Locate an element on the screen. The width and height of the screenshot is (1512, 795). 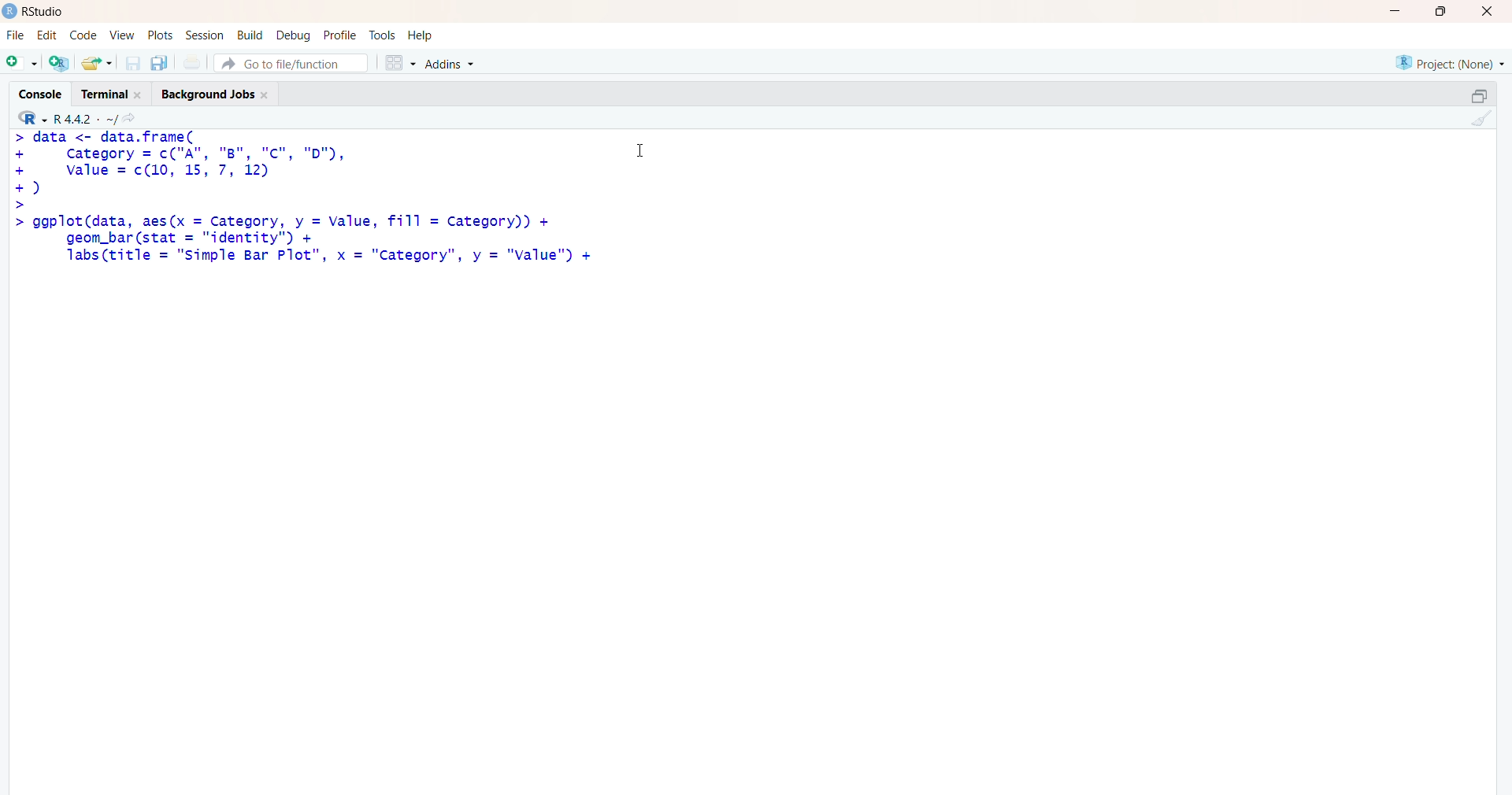
maximize is located at coordinates (1479, 96).